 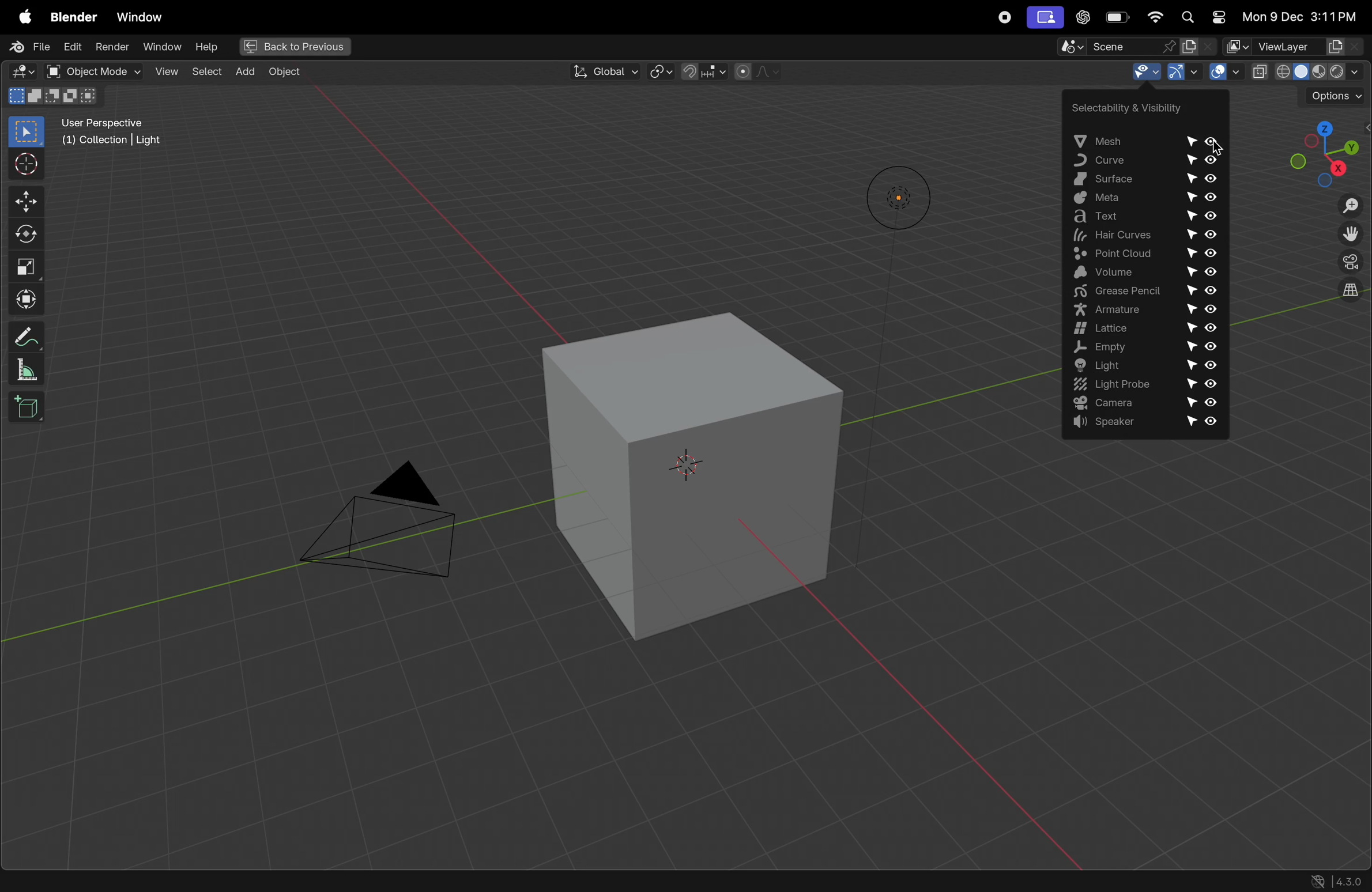 What do you see at coordinates (144, 18) in the screenshot?
I see `Window` at bounding box center [144, 18].